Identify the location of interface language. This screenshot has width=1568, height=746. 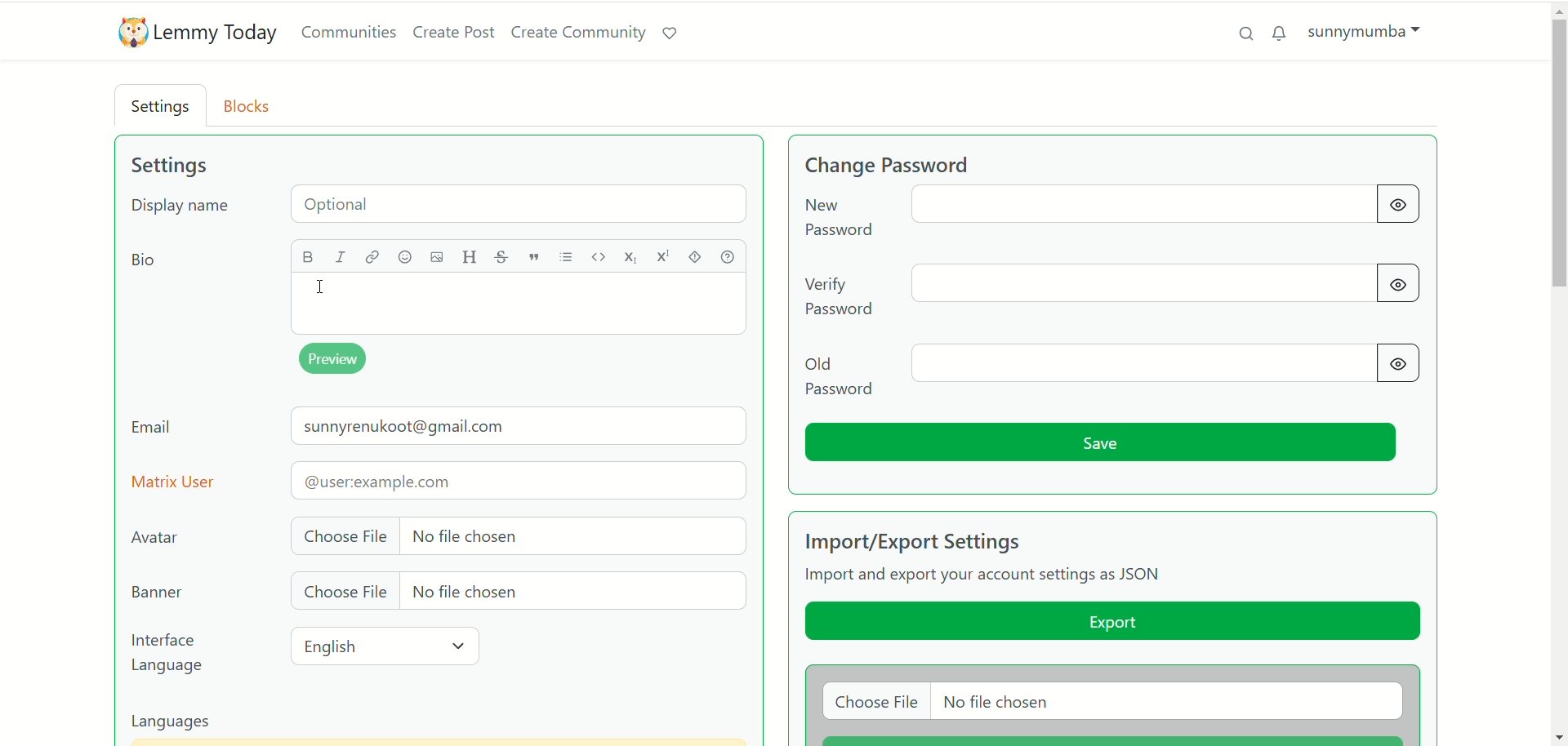
(170, 654).